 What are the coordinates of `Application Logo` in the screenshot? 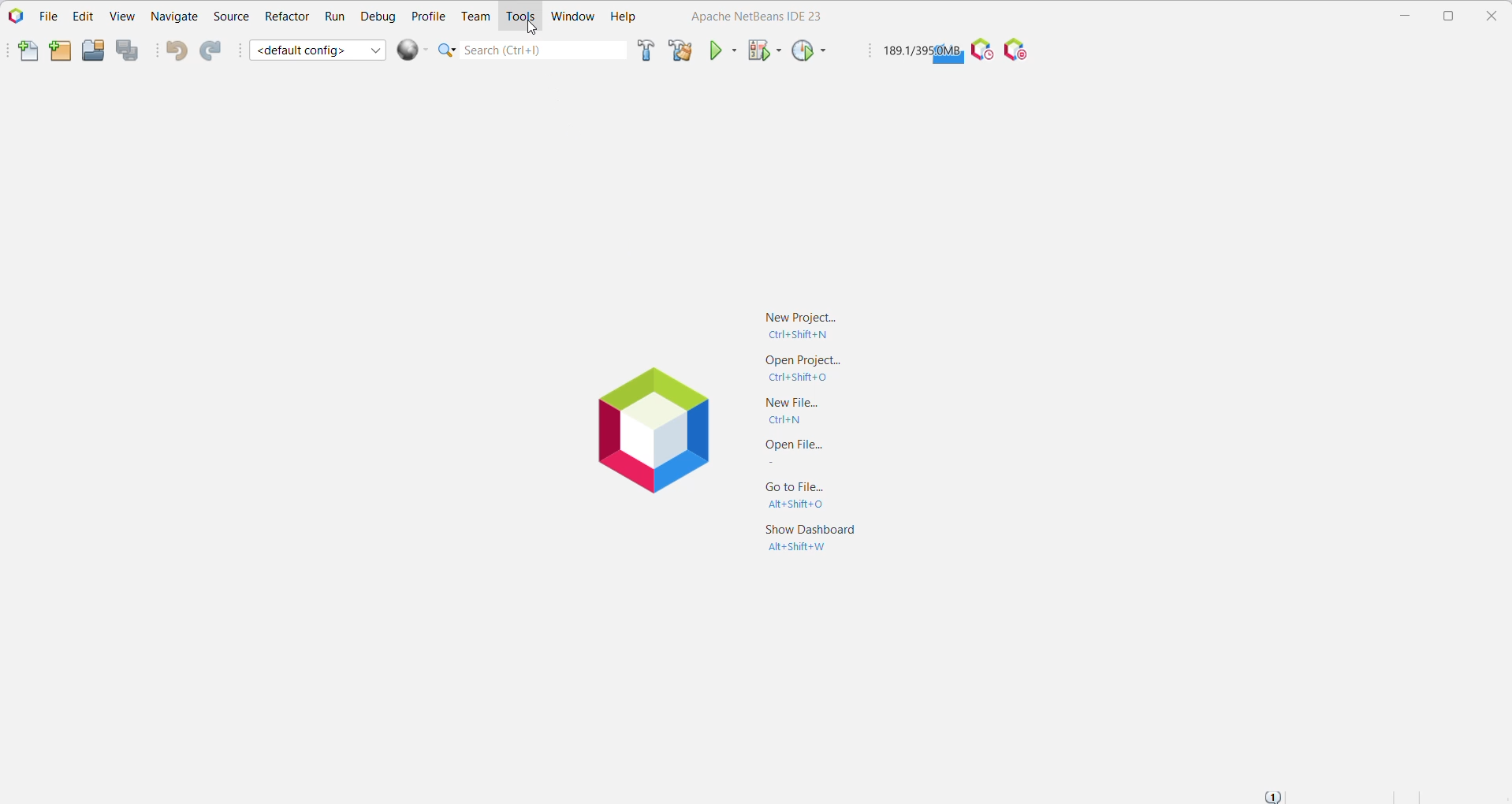 It's located at (650, 433).